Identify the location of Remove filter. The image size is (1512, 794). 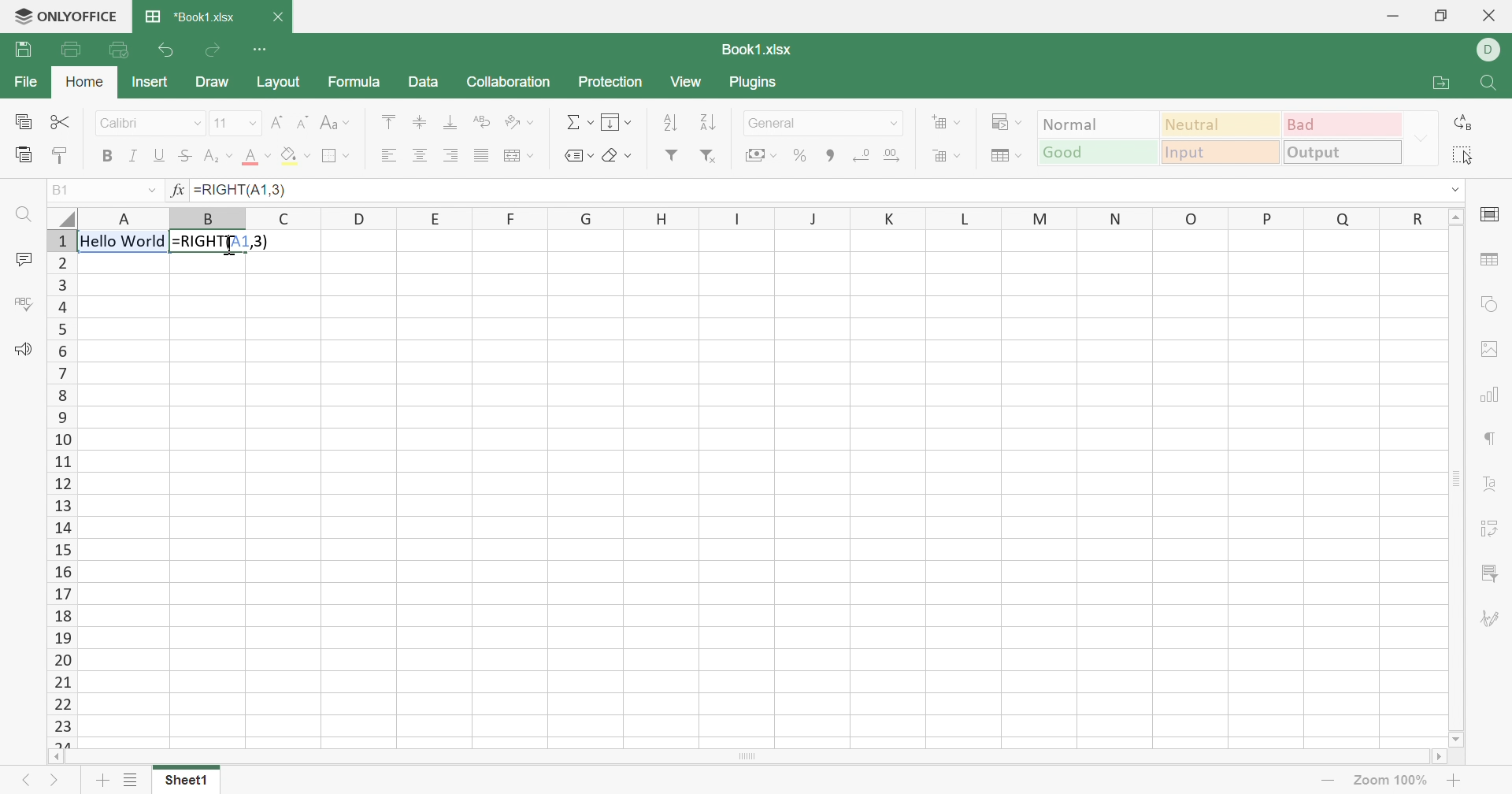
(707, 155).